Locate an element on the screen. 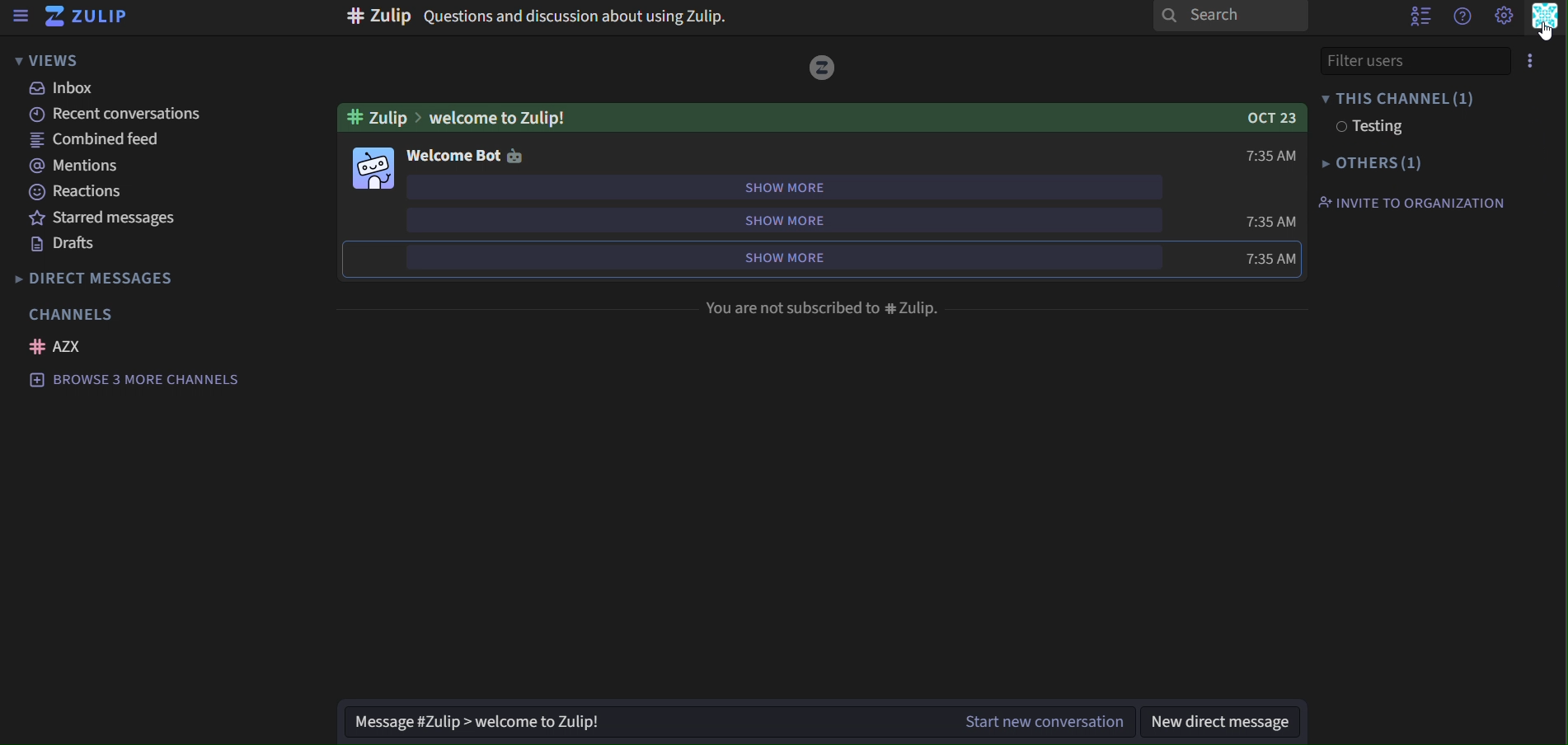  channels is located at coordinates (73, 315).